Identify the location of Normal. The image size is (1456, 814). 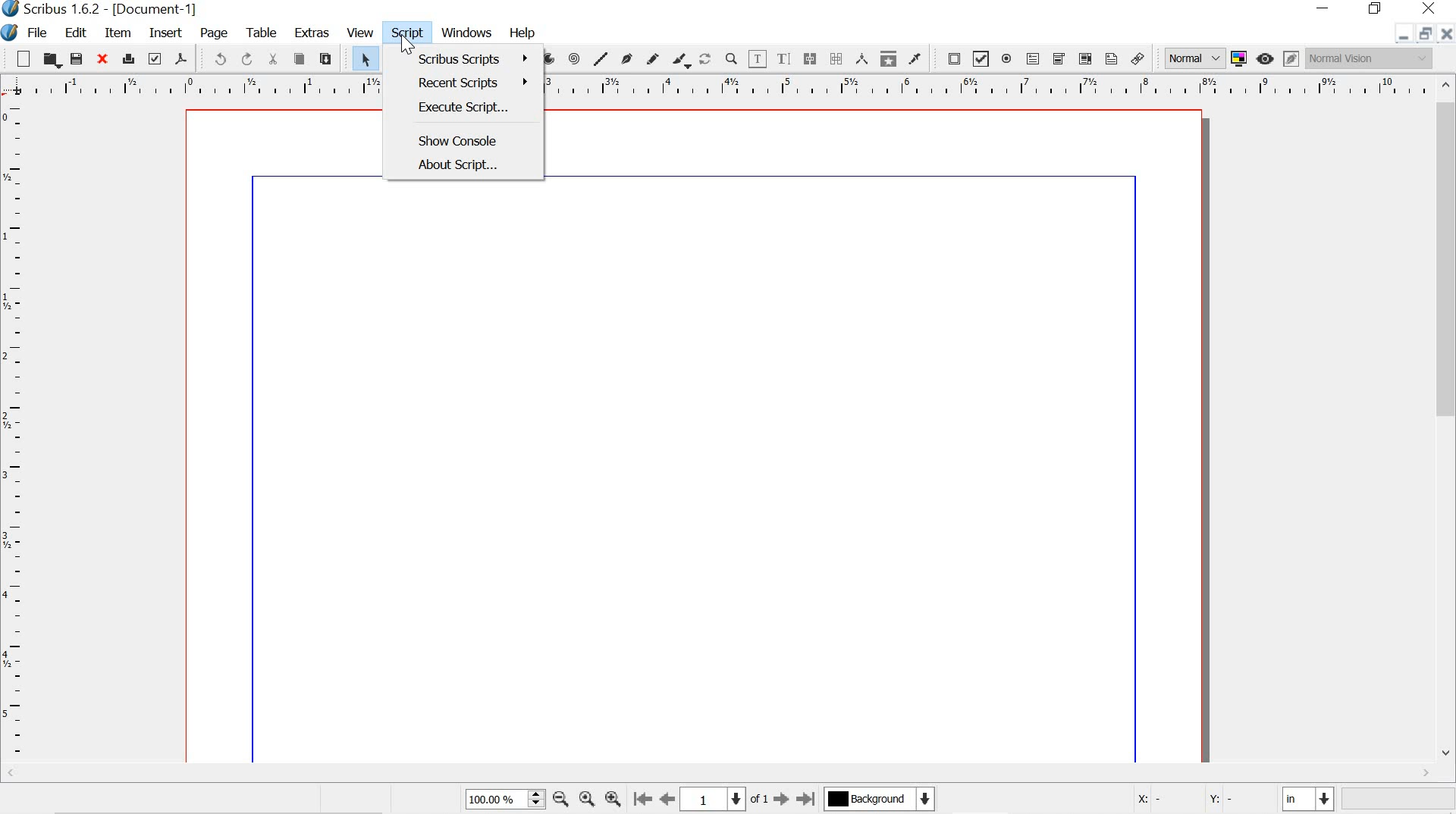
(1193, 58).